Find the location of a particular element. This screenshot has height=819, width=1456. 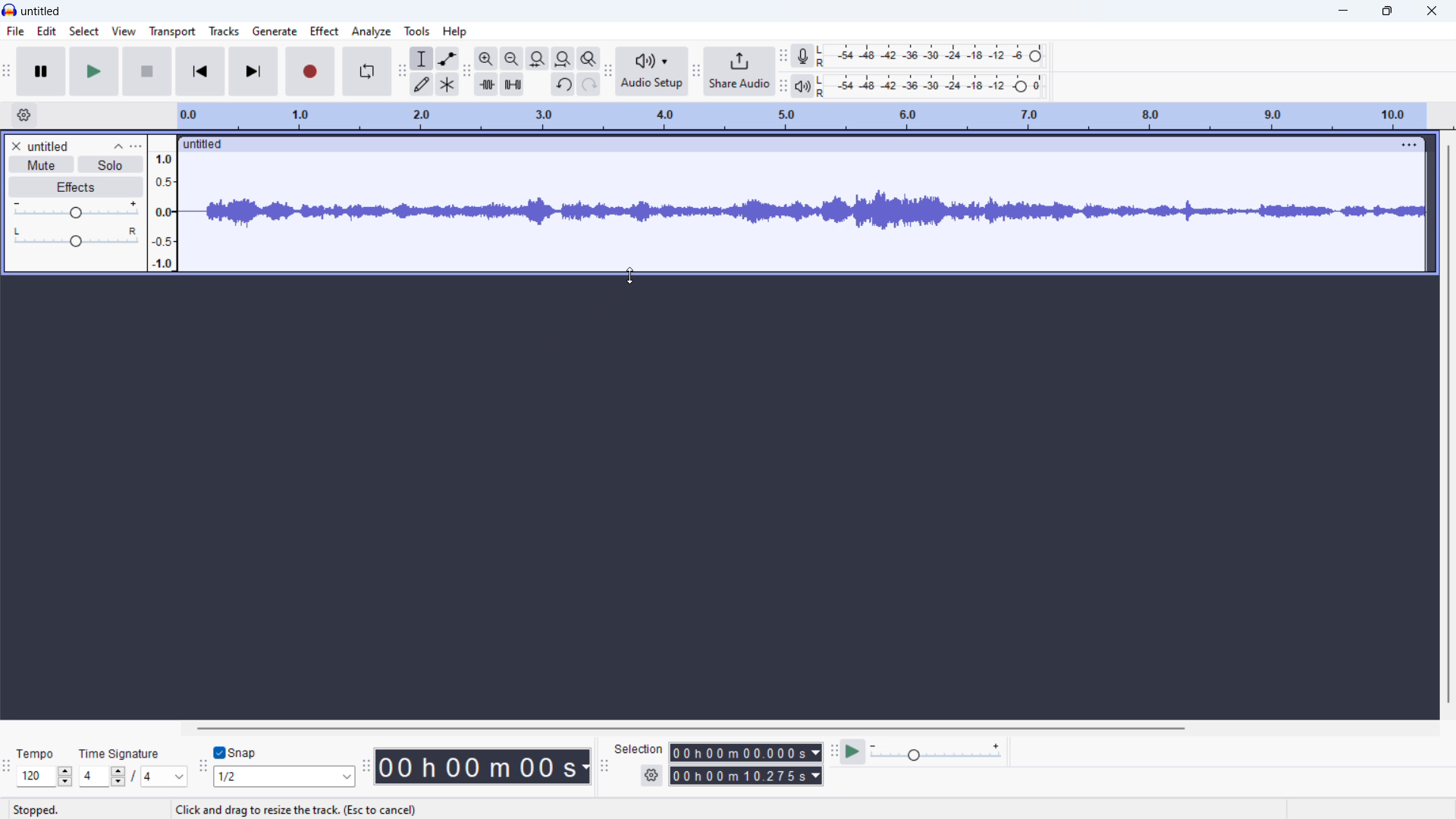

redo is located at coordinates (588, 84).